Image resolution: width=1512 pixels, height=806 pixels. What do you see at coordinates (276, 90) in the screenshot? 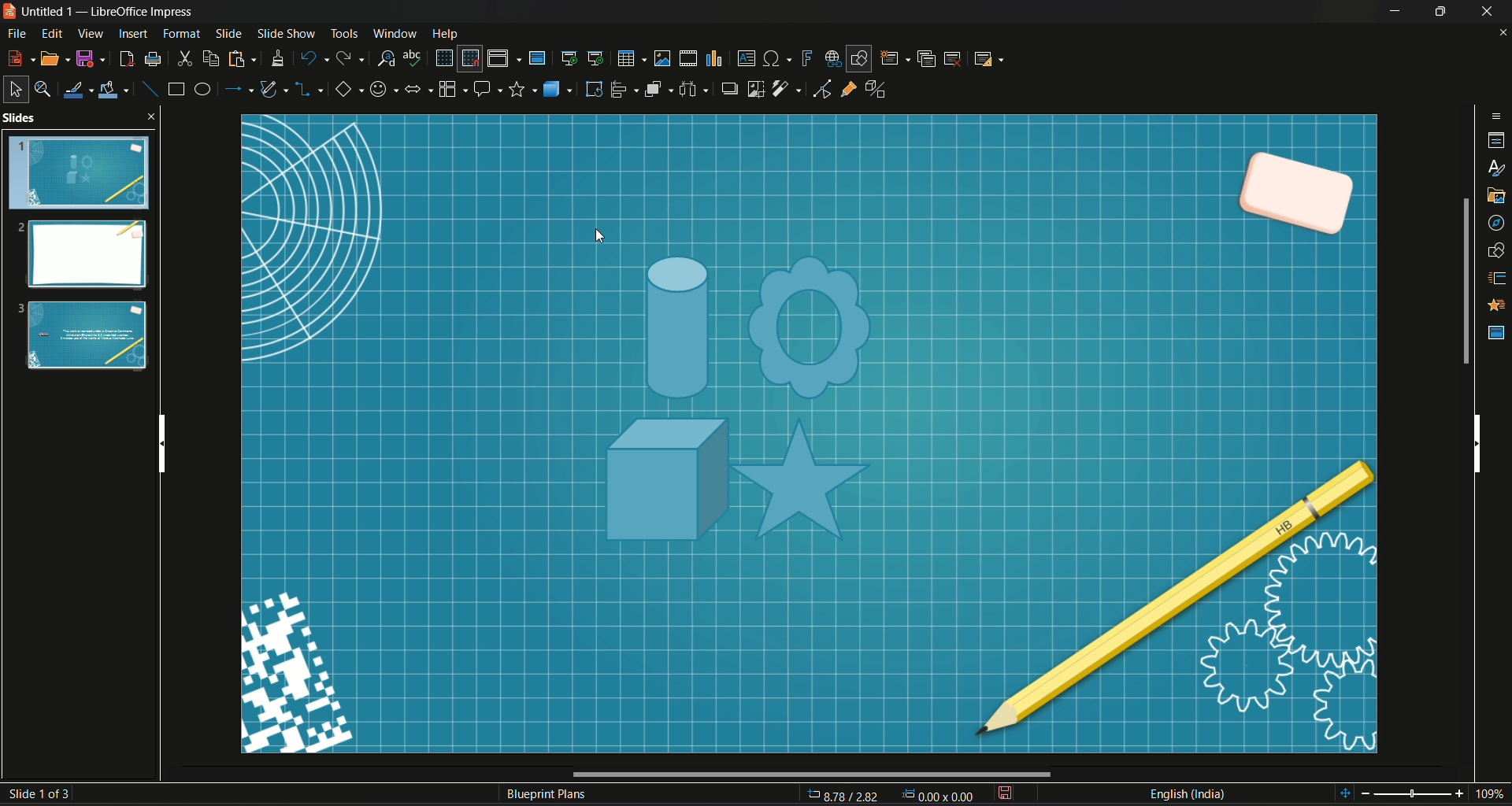
I see `curves and polygon` at bounding box center [276, 90].